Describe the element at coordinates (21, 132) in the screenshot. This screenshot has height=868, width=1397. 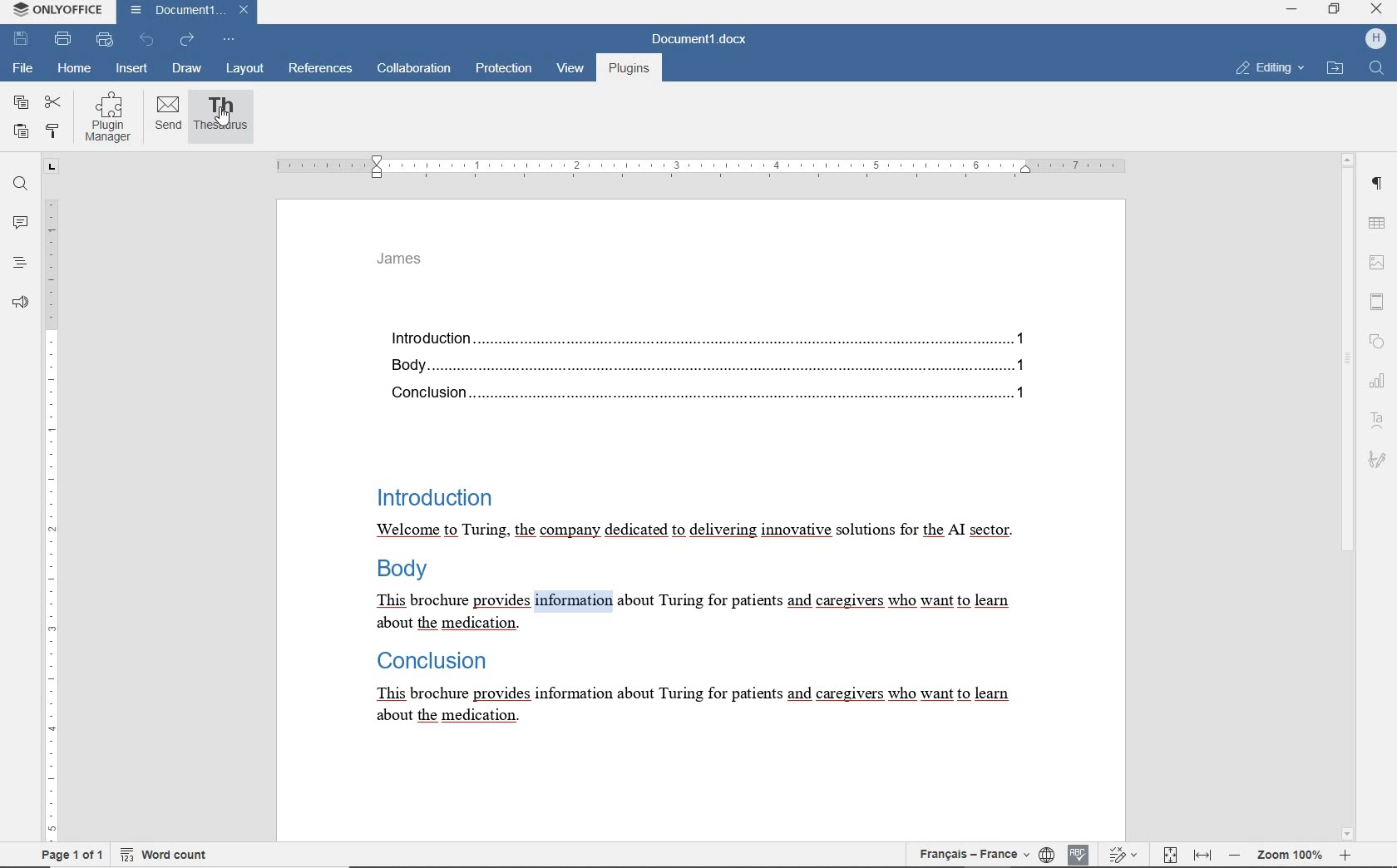
I see `PASTE` at that location.